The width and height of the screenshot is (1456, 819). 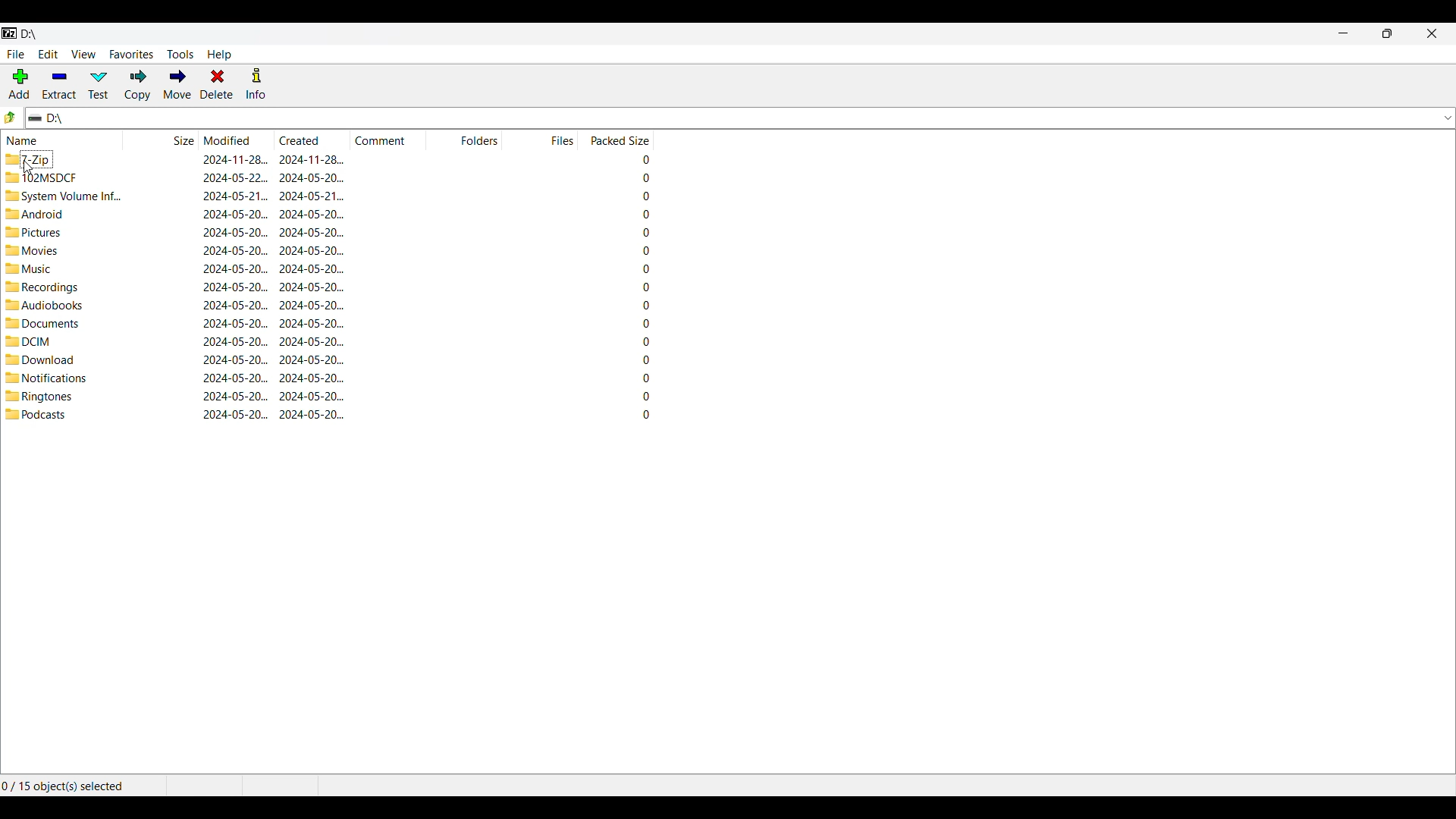 What do you see at coordinates (312, 214) in the screenshot?
I see `created date & time` at bounding box center [312, 214].